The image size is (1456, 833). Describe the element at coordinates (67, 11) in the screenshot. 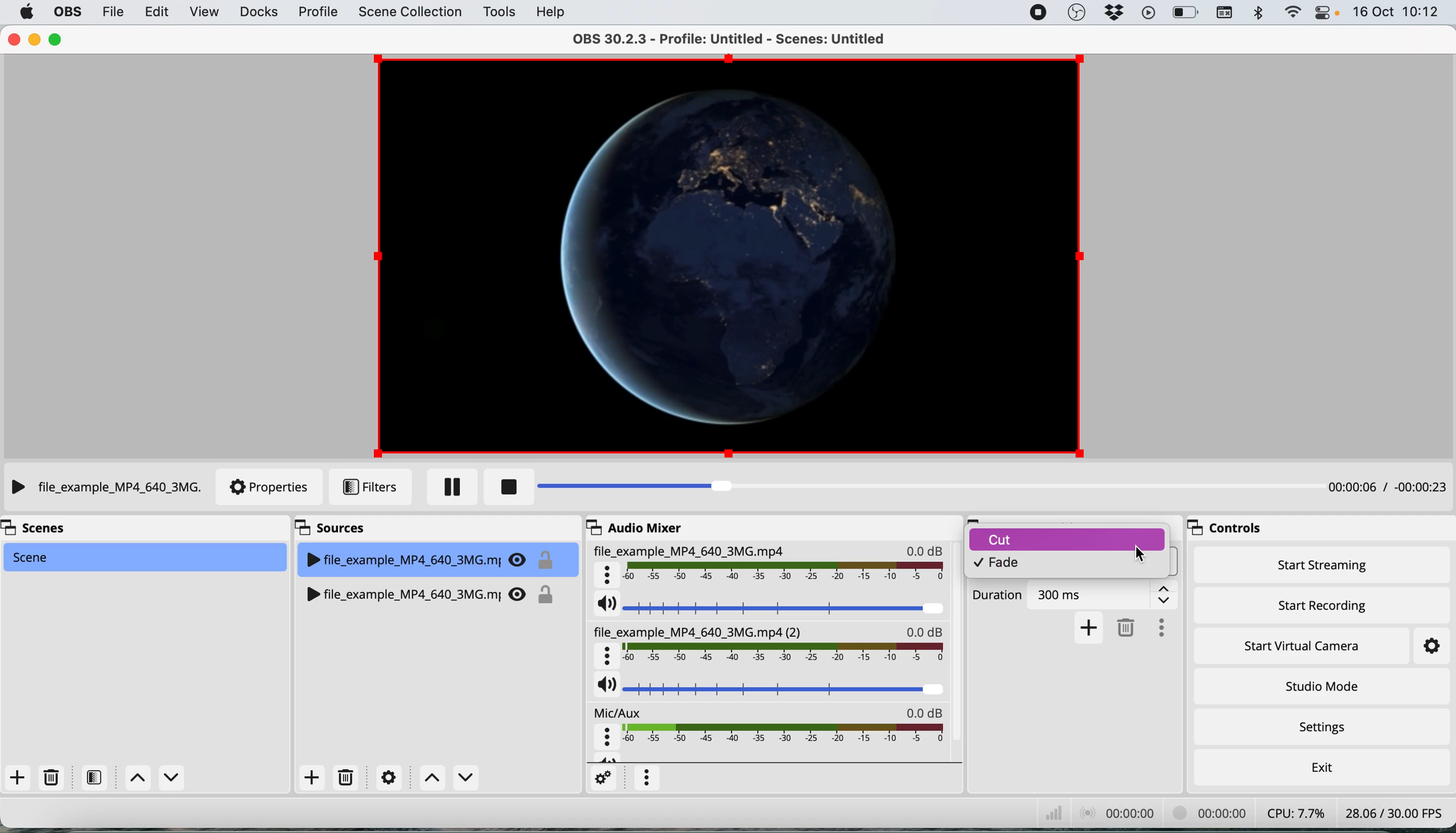

I see `obs` at that location.